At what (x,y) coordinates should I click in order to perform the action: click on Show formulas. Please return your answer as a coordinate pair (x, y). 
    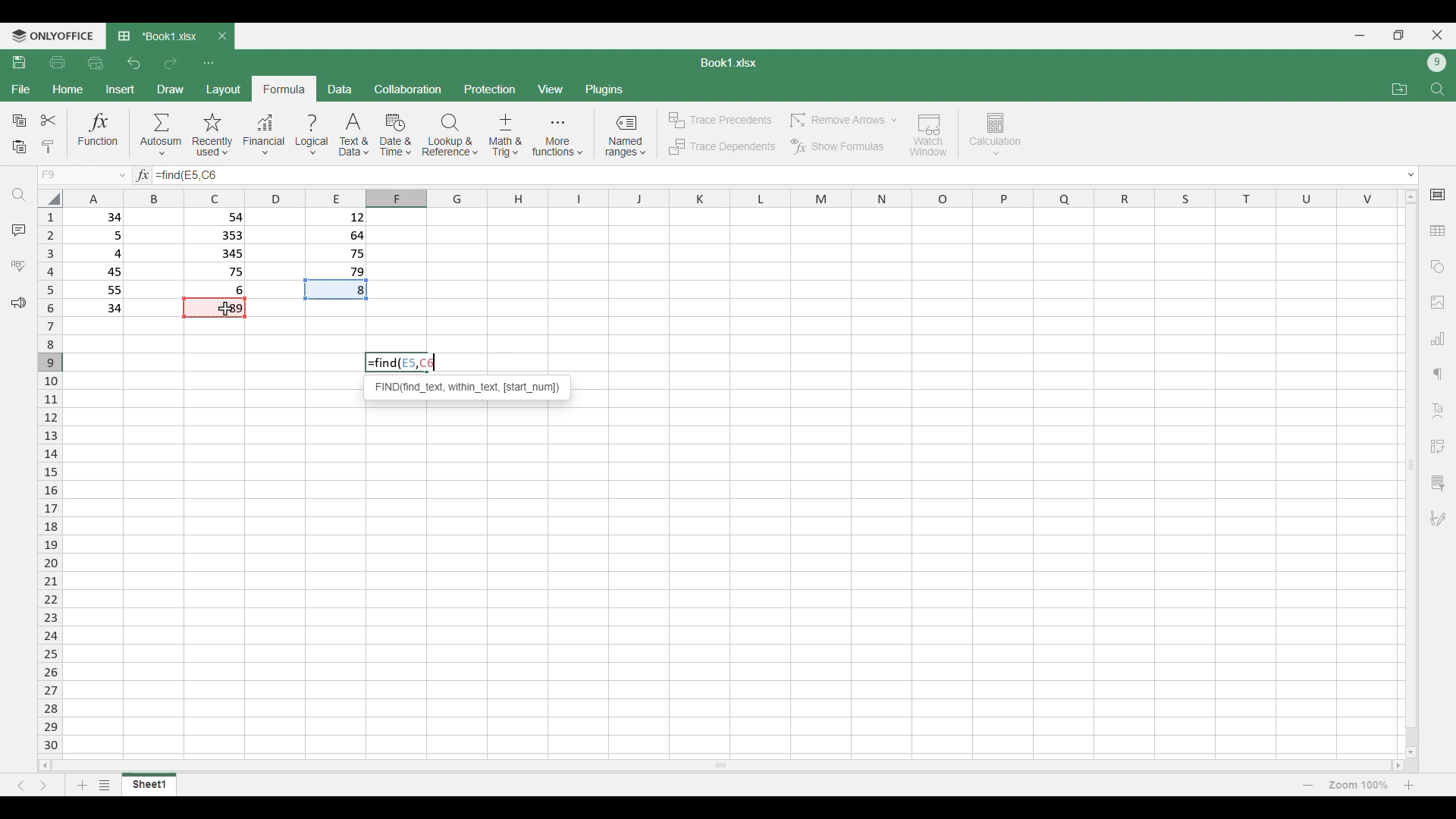
    Looking at the image, I should click on (836, 147).